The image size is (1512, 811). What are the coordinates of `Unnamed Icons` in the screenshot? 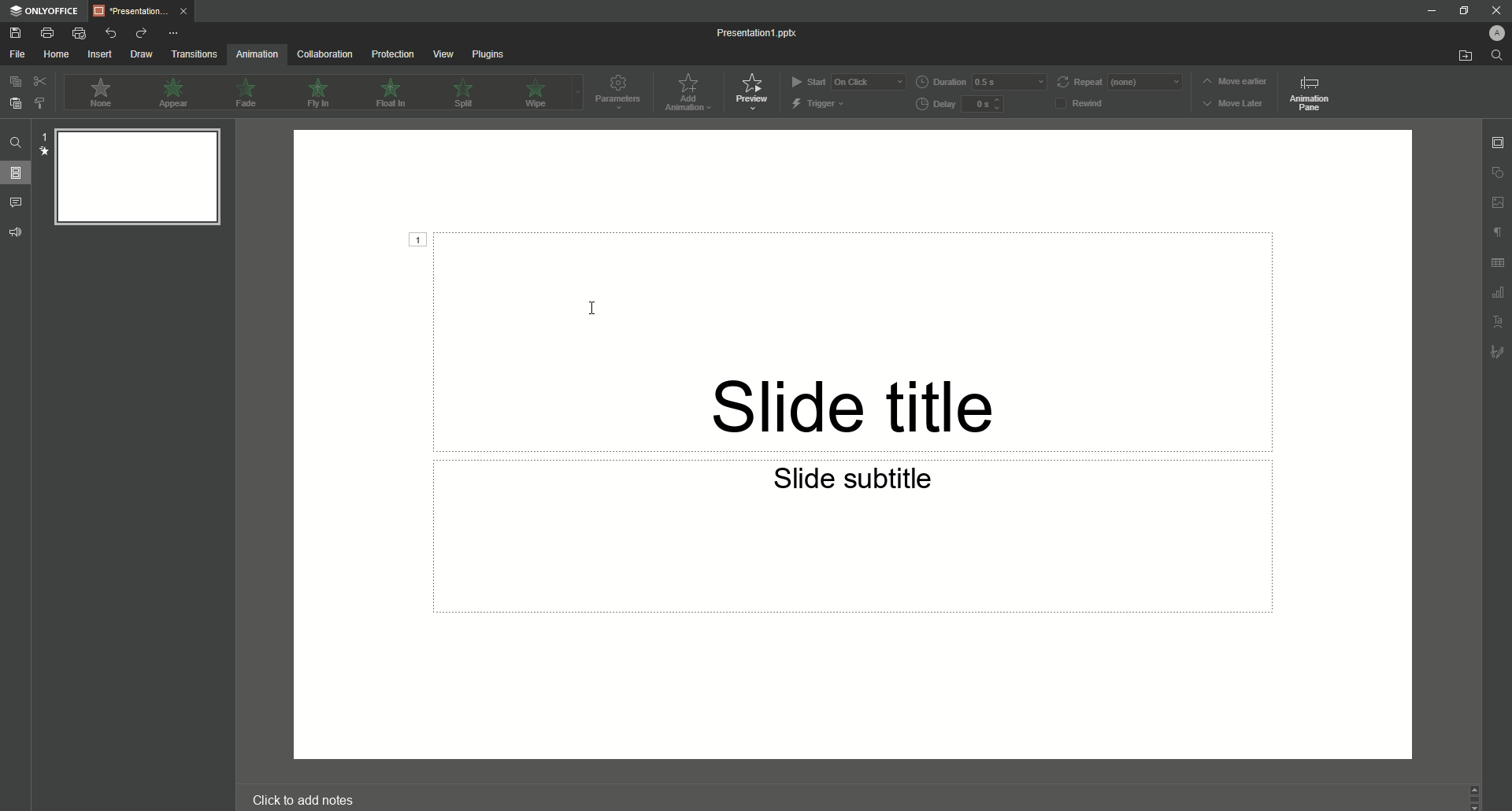 It's located at (1498, 263).